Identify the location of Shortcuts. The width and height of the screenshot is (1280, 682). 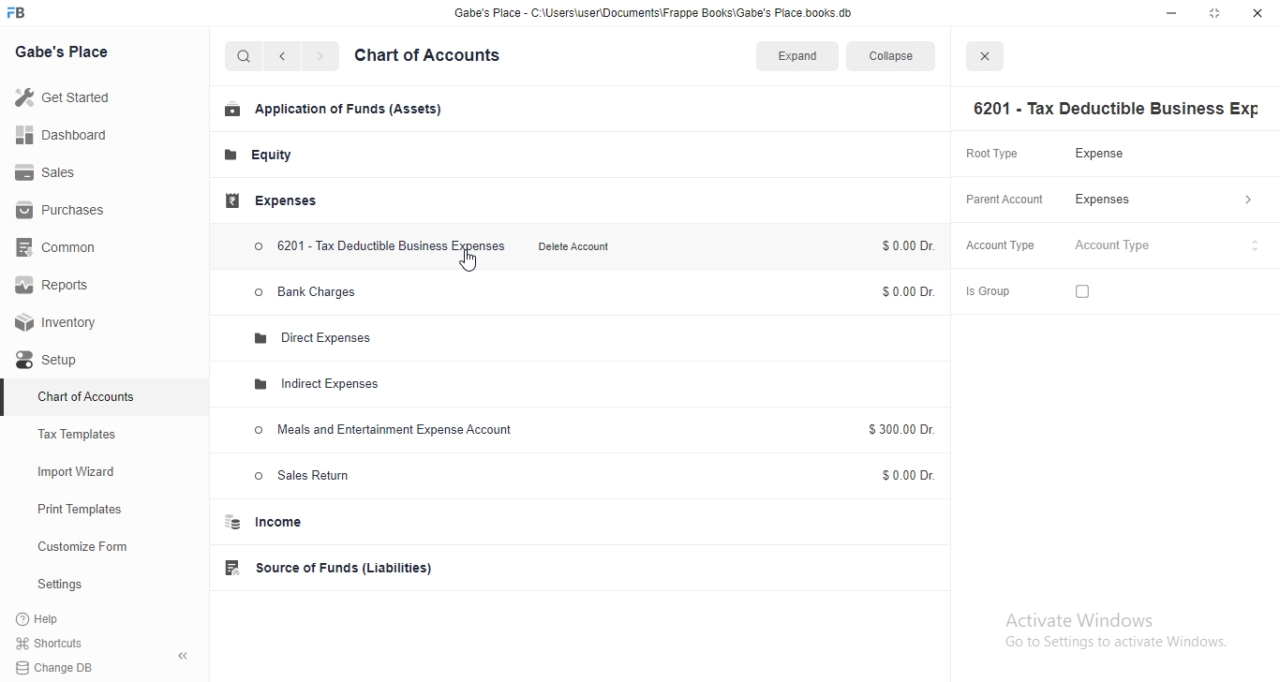
(107, 645).